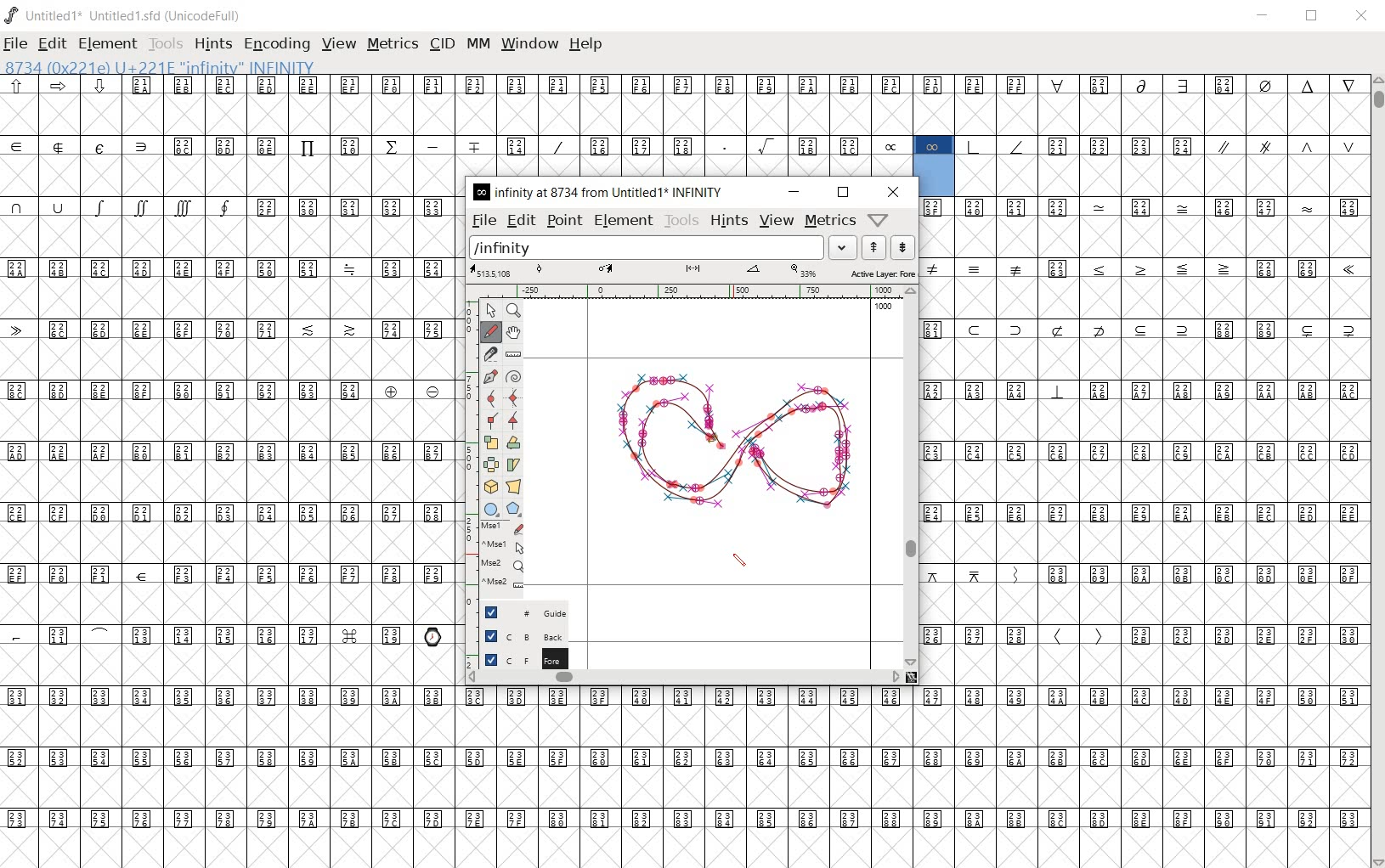  Describe the element at coordinates (128, 20) in the screenshot. I see `Untitled1 Untitled1.sfd (UnicodeFull)` at that location.